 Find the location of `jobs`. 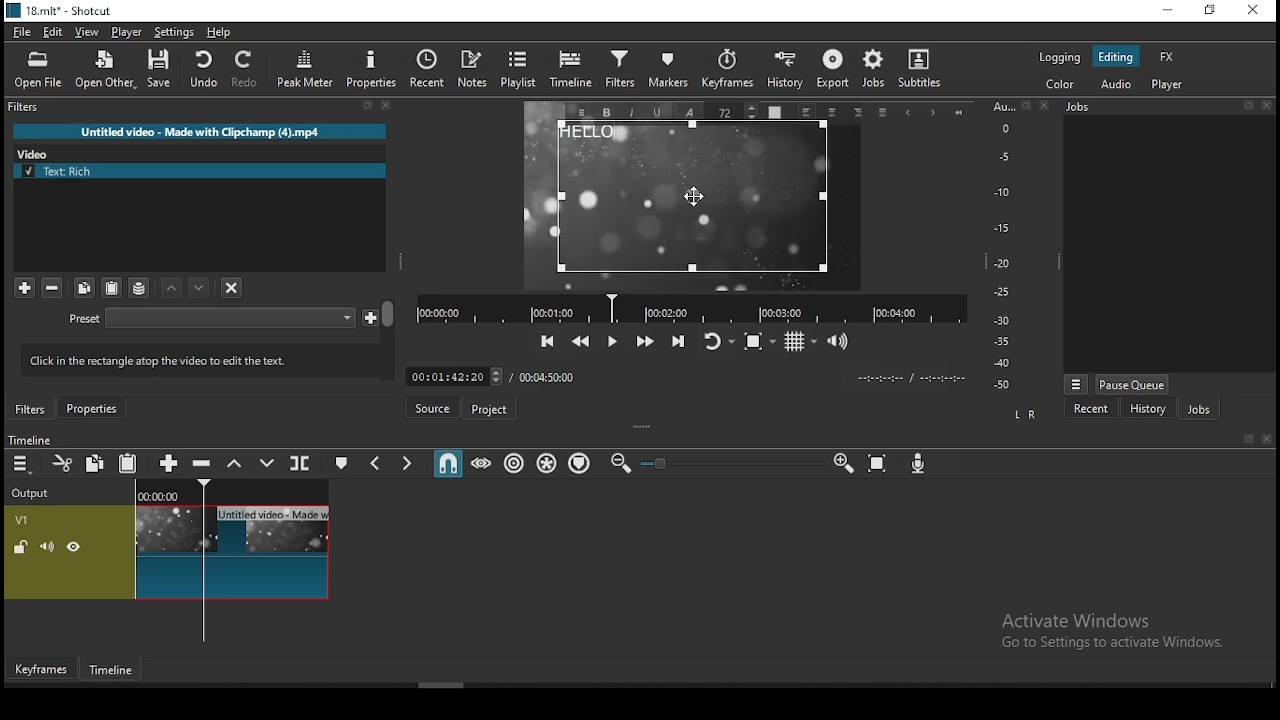

jobs is located at coordinates (1198, 408).